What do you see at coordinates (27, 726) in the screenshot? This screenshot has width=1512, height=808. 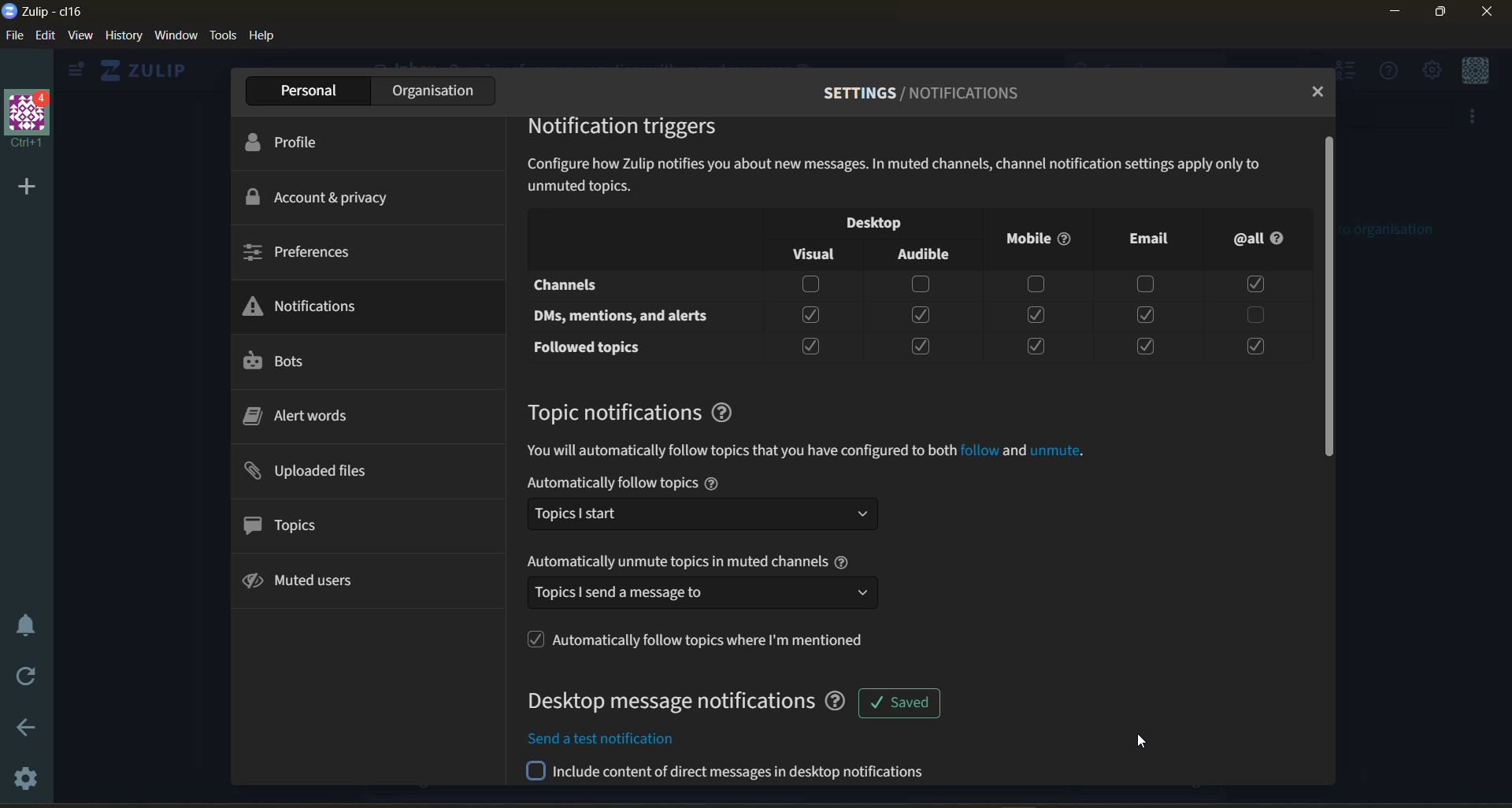 I see `go back` at bounding box center [27, 726].